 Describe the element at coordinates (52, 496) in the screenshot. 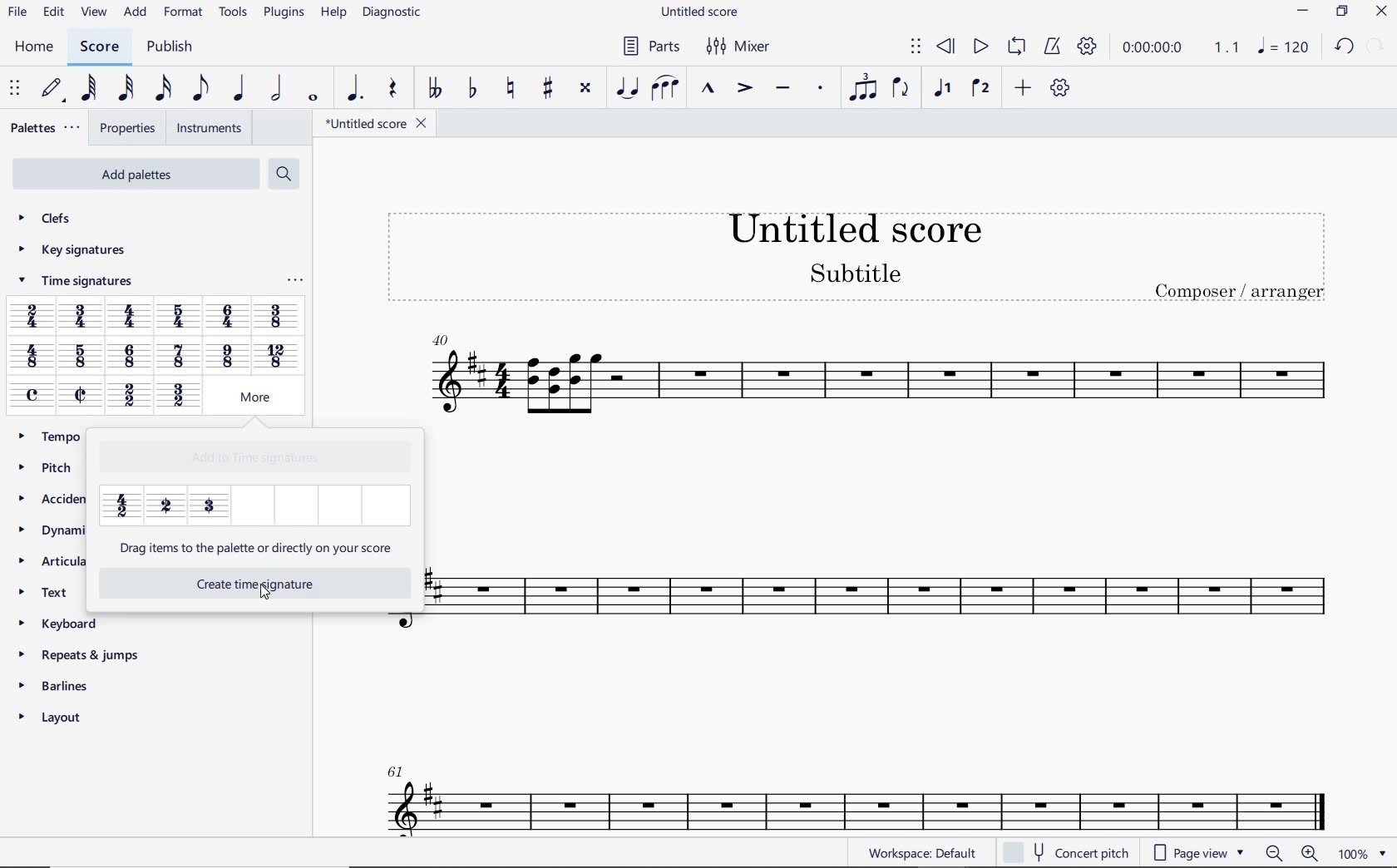

I see `ACCIDENTALS` at that location.